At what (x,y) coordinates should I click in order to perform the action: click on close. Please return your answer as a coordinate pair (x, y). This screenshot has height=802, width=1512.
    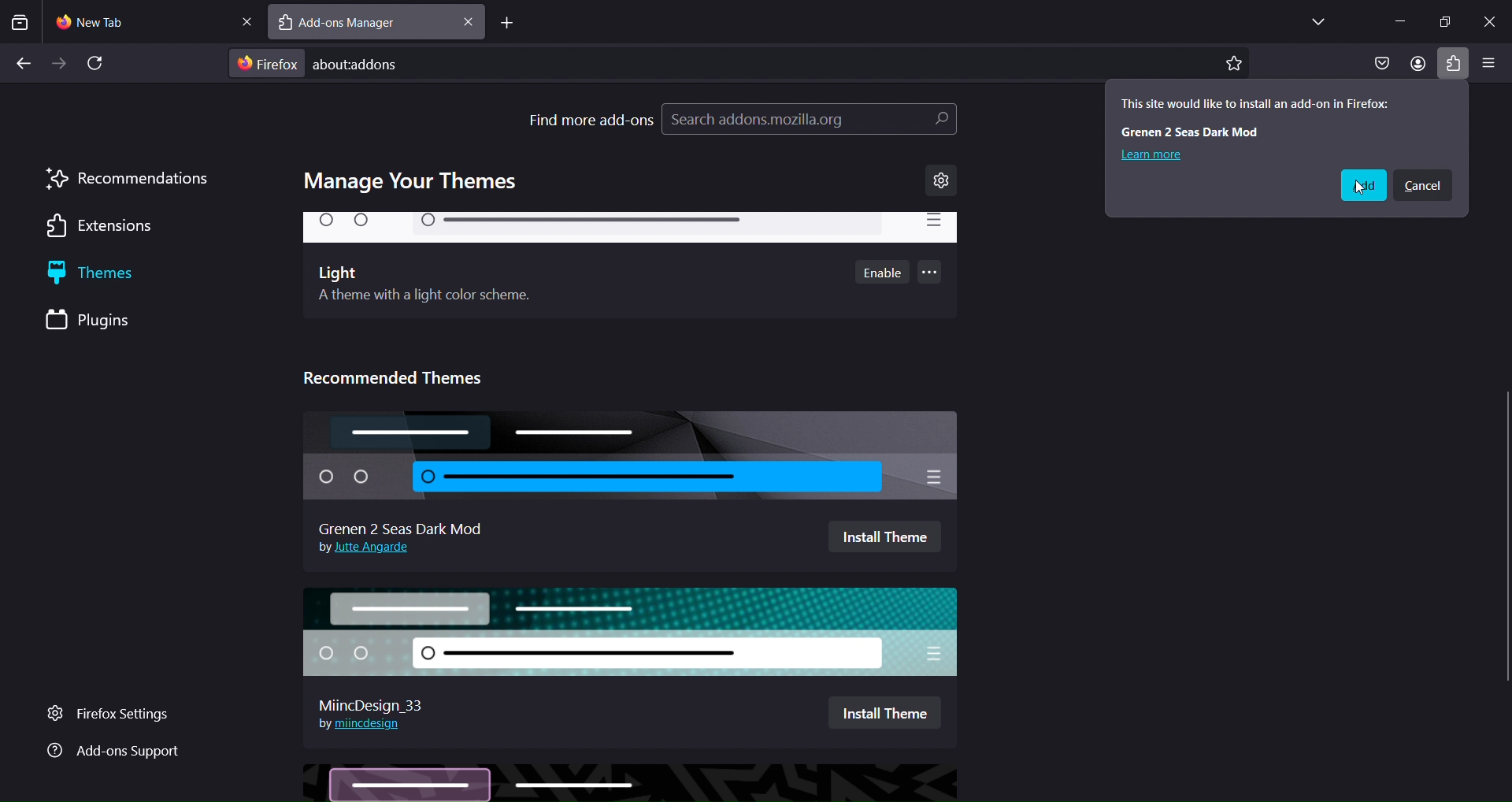
    Looking at the image, I should click on (246, 20).